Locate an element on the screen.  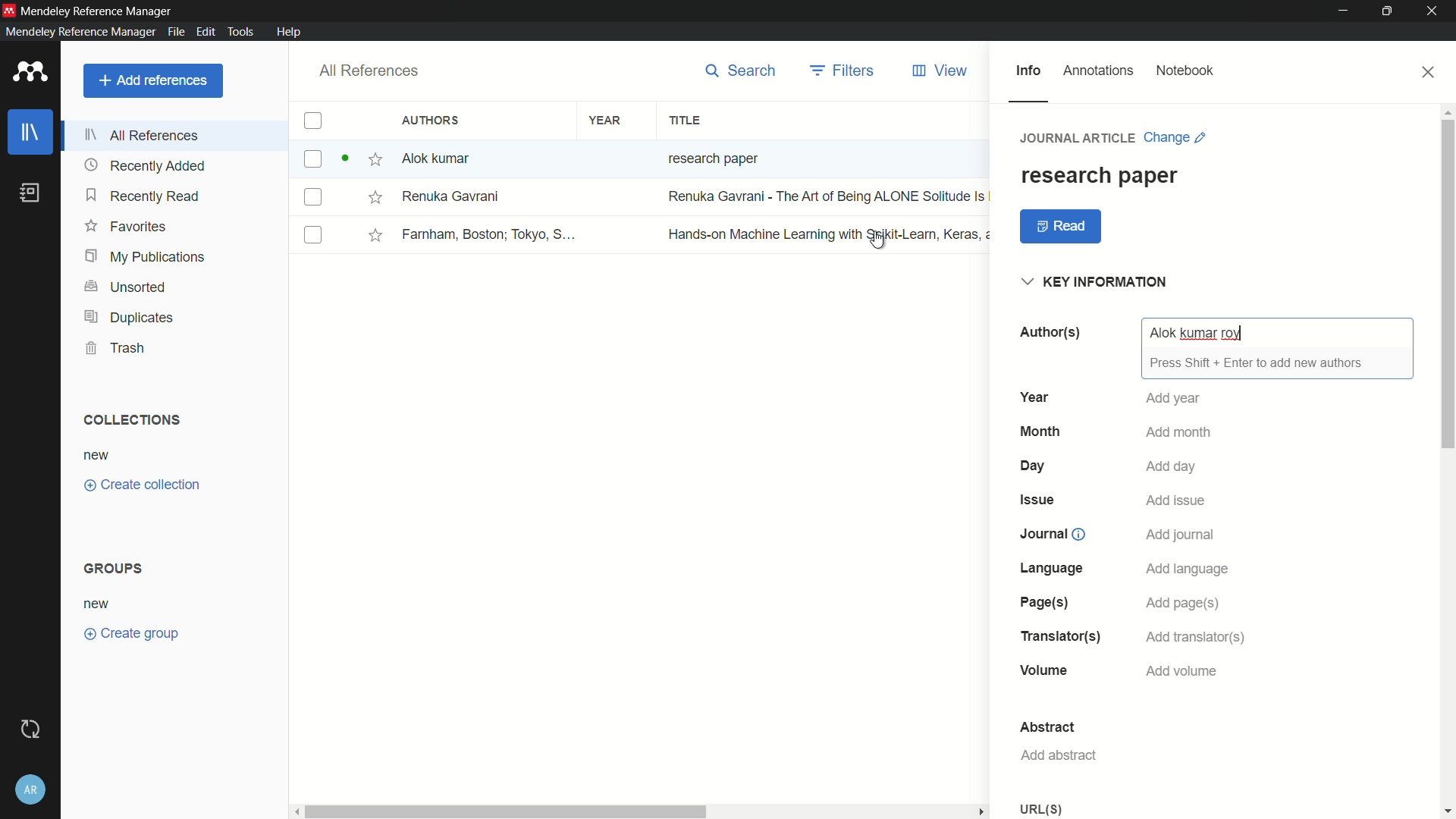
close app is located at coordinates (1435, 11).